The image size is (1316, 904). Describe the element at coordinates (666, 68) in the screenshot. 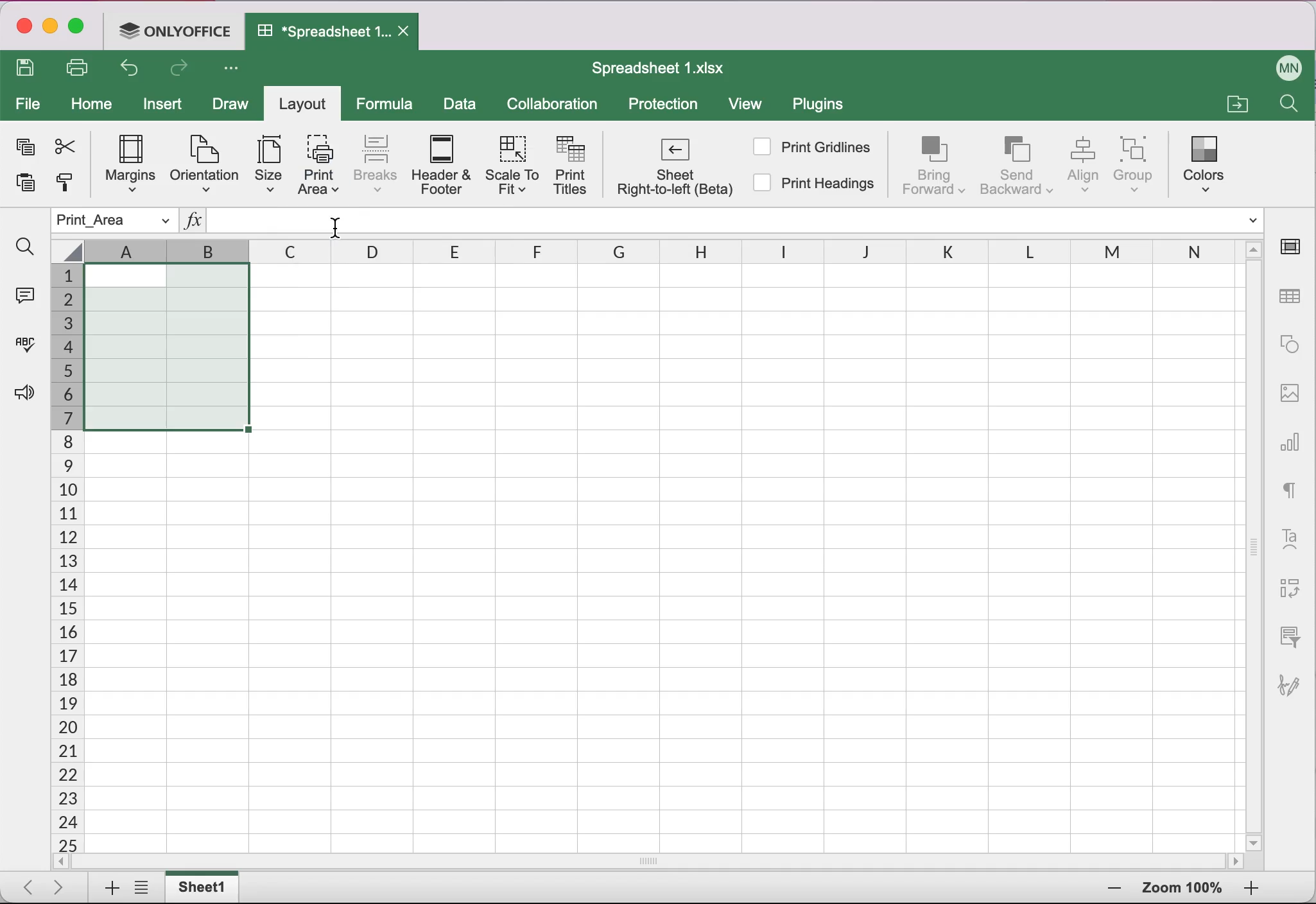

I see `Spreadsheet 1.xIsx` at that location.